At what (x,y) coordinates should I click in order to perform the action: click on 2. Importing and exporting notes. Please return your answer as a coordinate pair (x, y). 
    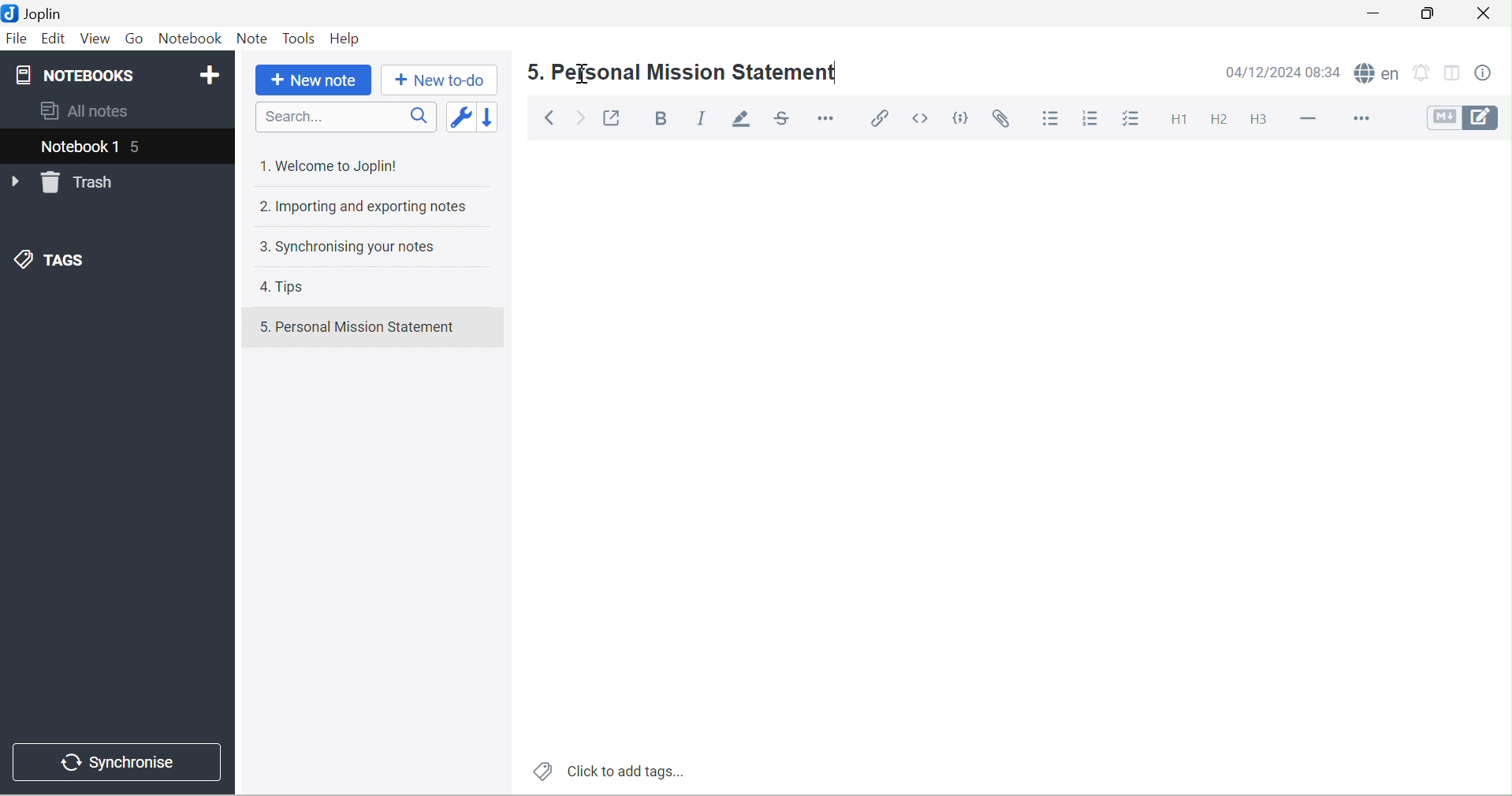
    Looking at the image, I should click on (367, 208).